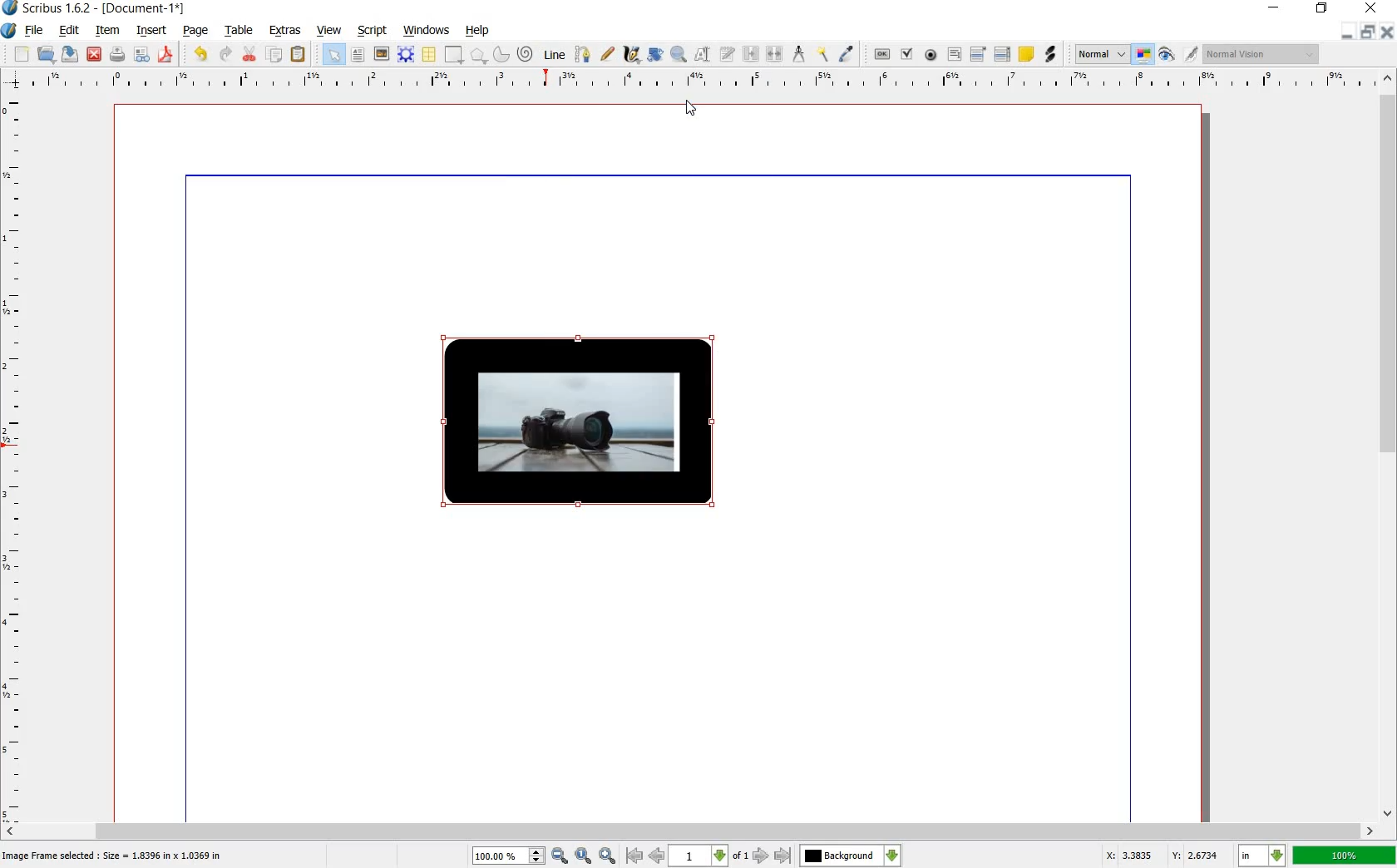 The height and width of the screenshot is (868, 1397). Describe the element at coordinates (70, 56) in the screenshot. I see `save` at that location.